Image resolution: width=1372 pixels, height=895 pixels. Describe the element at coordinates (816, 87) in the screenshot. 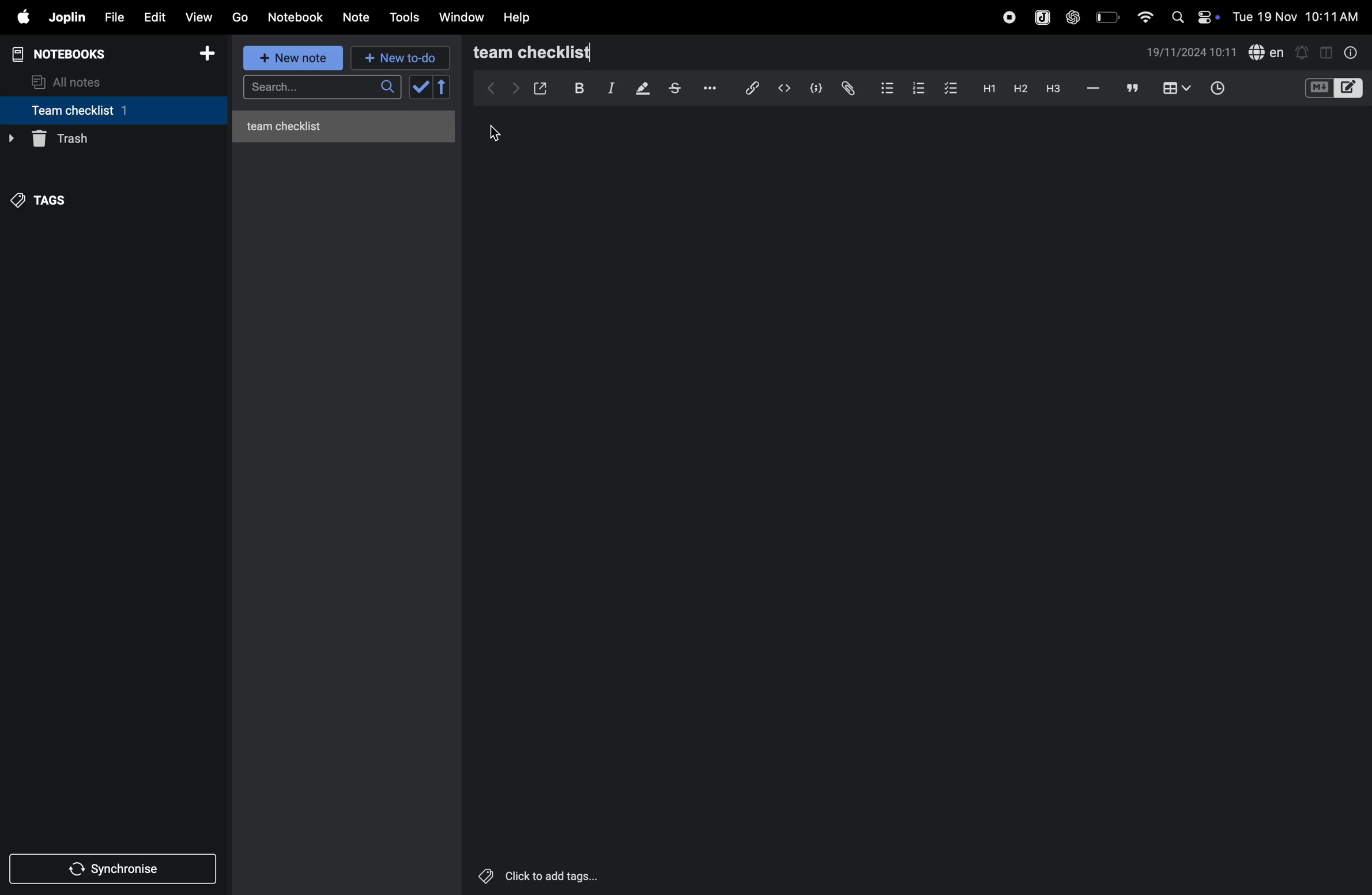

I see `code block` at that location.